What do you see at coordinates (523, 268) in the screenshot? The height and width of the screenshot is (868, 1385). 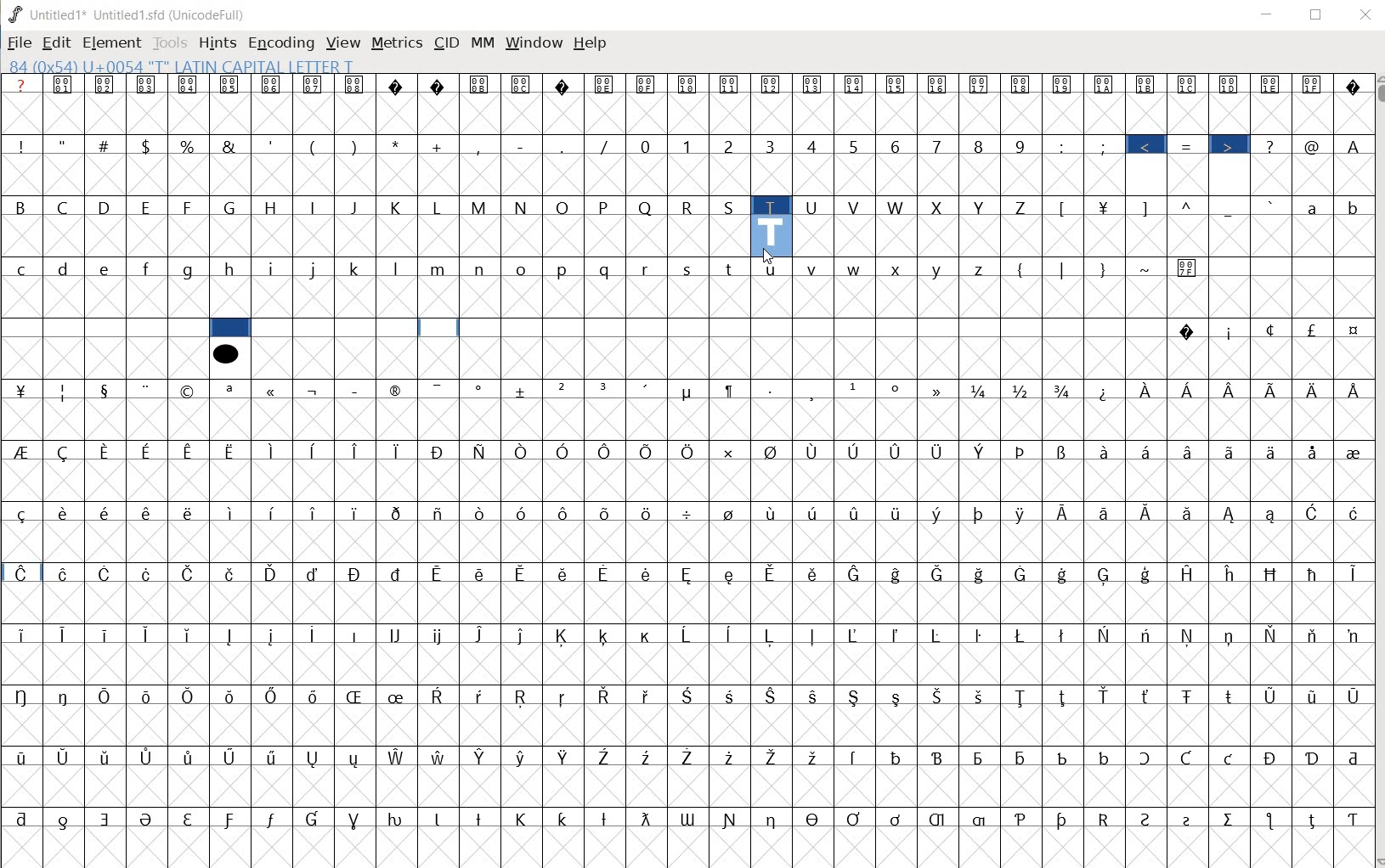 I see `o` at bounding box center [523, 268].